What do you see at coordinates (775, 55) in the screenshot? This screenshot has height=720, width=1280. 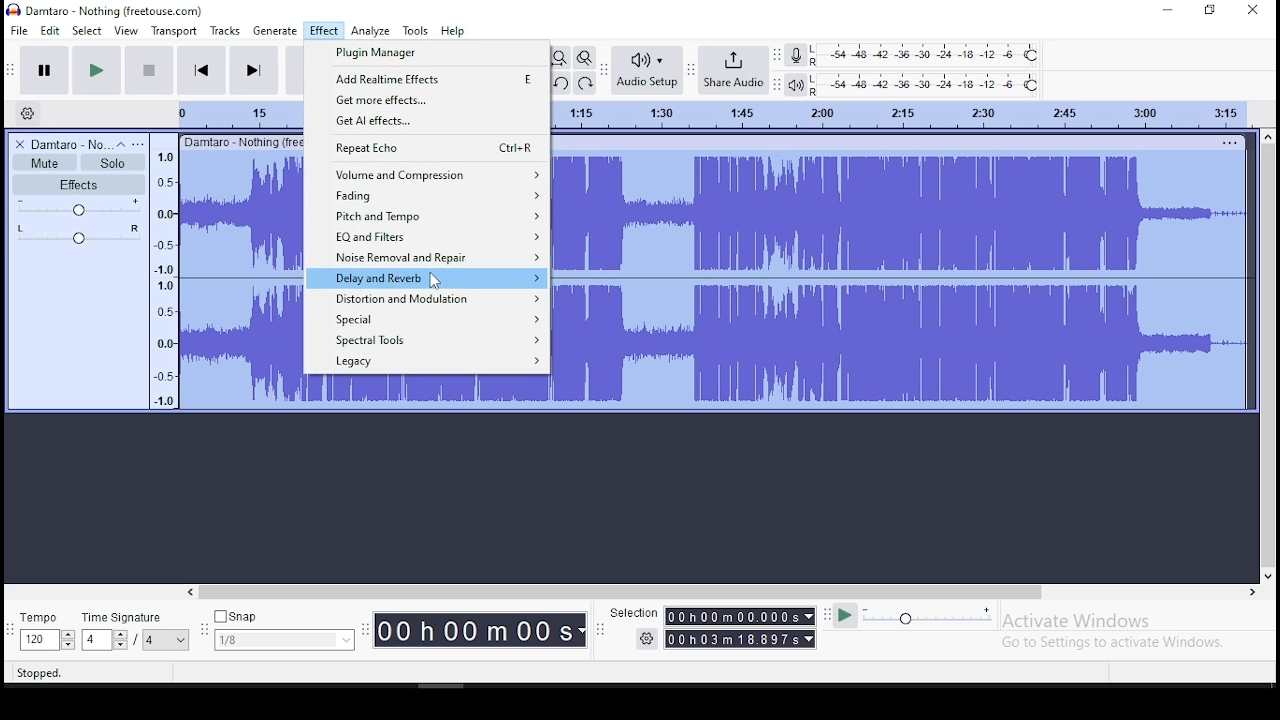 I see `` at bounding box center [775, 55].